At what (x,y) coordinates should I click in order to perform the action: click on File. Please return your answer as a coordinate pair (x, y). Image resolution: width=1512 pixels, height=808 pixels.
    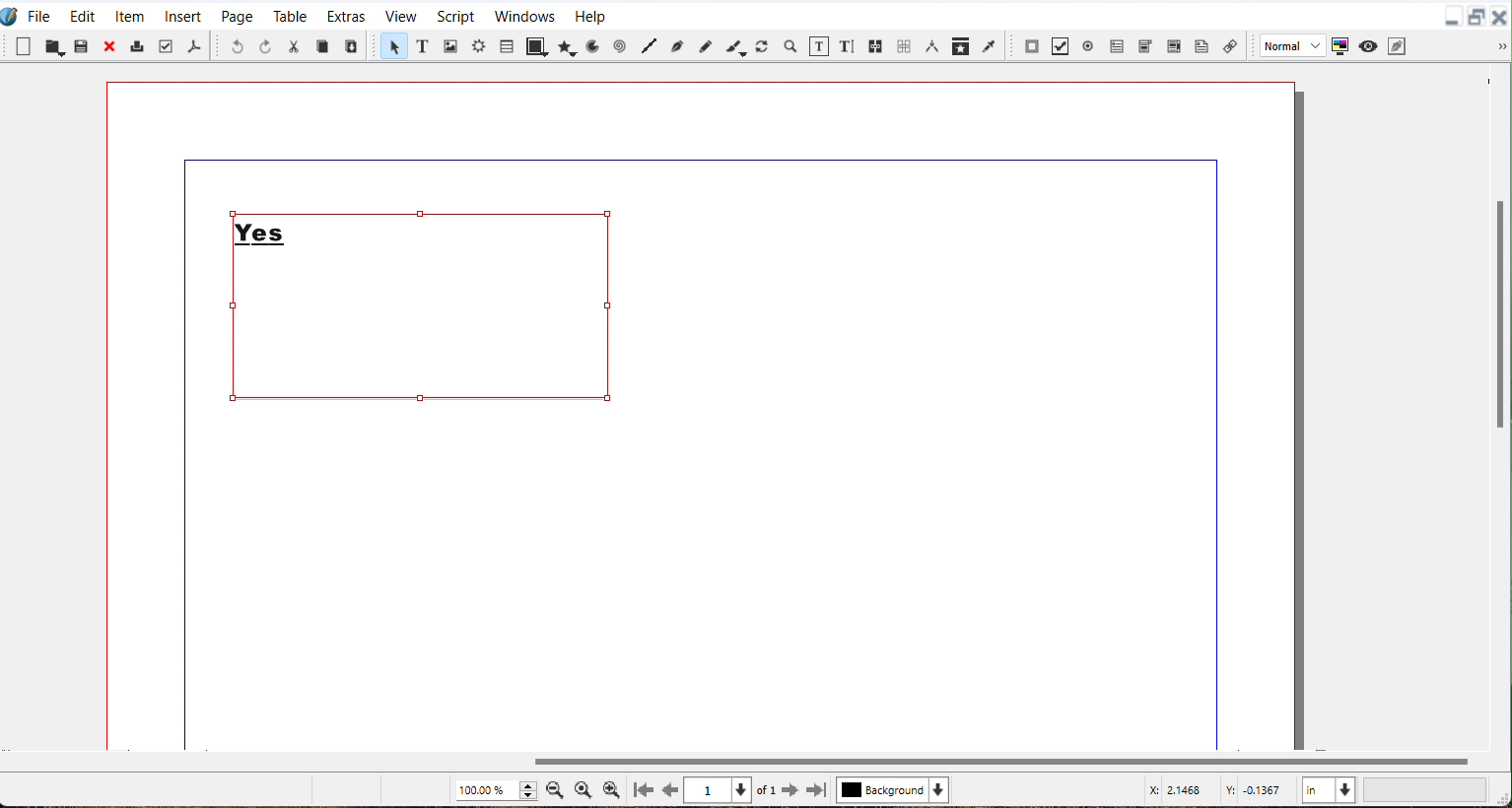
    Looking at the image, I should click on (40, 14).